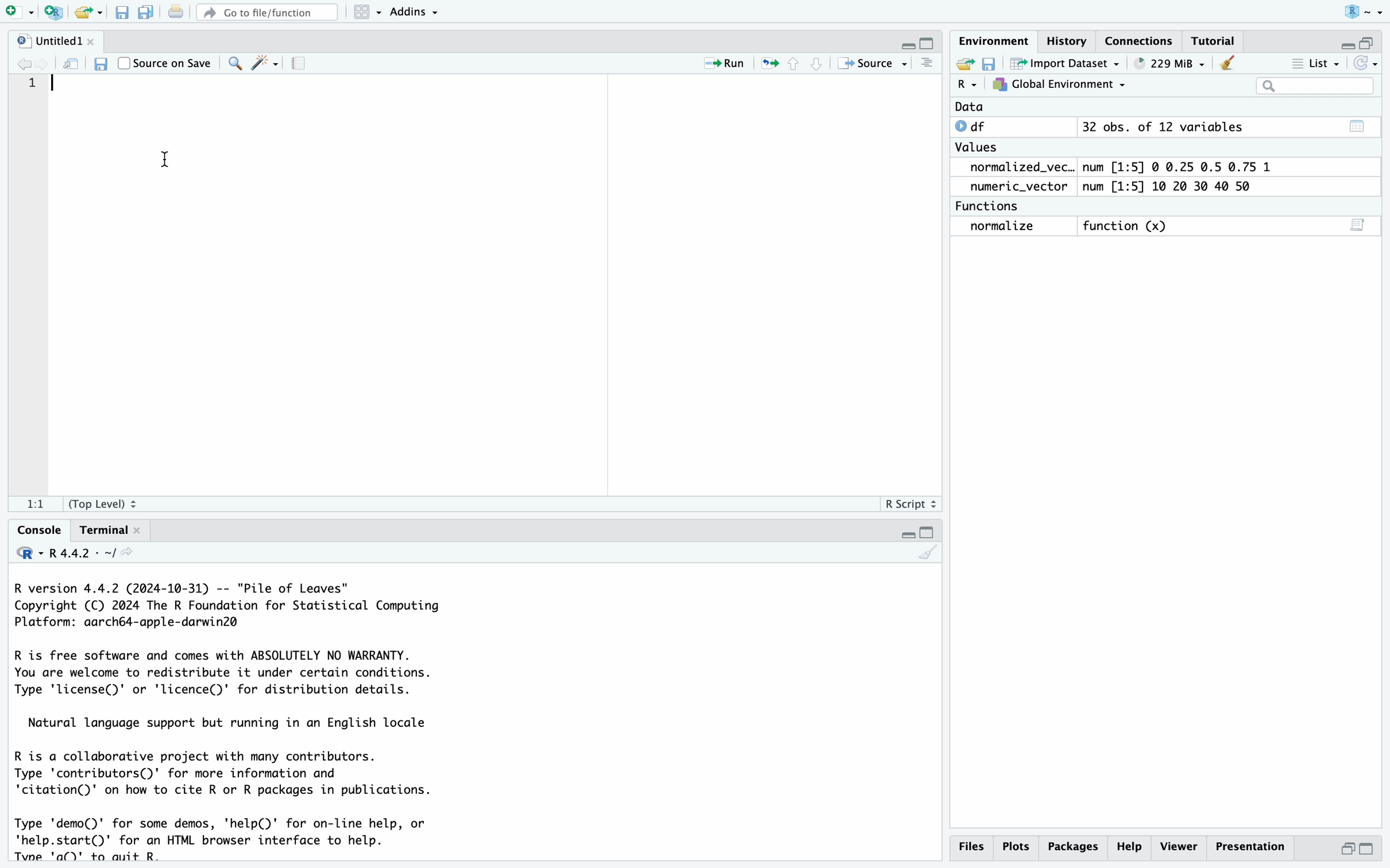 The height and width of the screenshot is (868, 1390). What do you see at coordinates (928, 555) in the screenshot?
I see `clear console` at bounding box center [928, 555].